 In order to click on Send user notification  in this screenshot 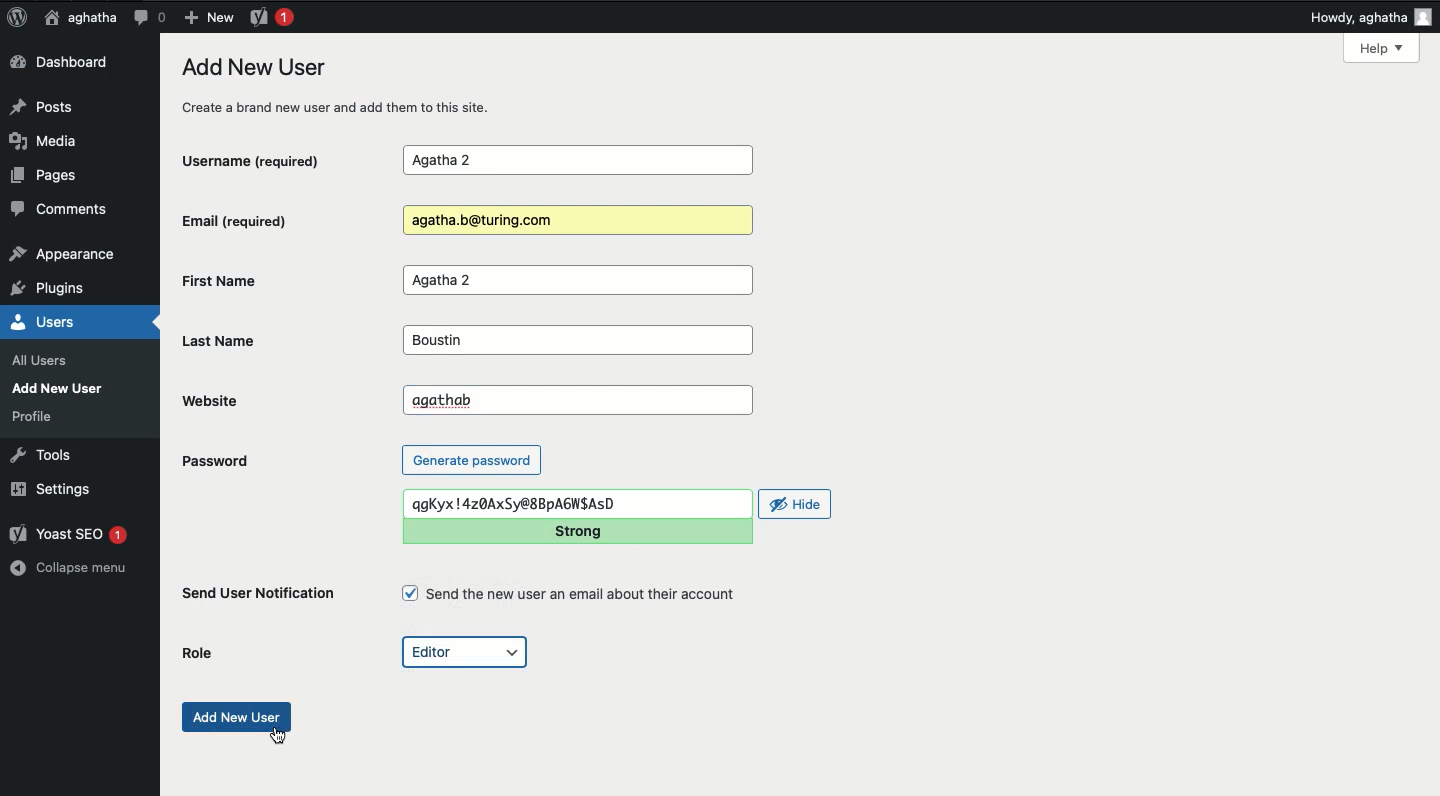, I will do `click(260, 597)`.